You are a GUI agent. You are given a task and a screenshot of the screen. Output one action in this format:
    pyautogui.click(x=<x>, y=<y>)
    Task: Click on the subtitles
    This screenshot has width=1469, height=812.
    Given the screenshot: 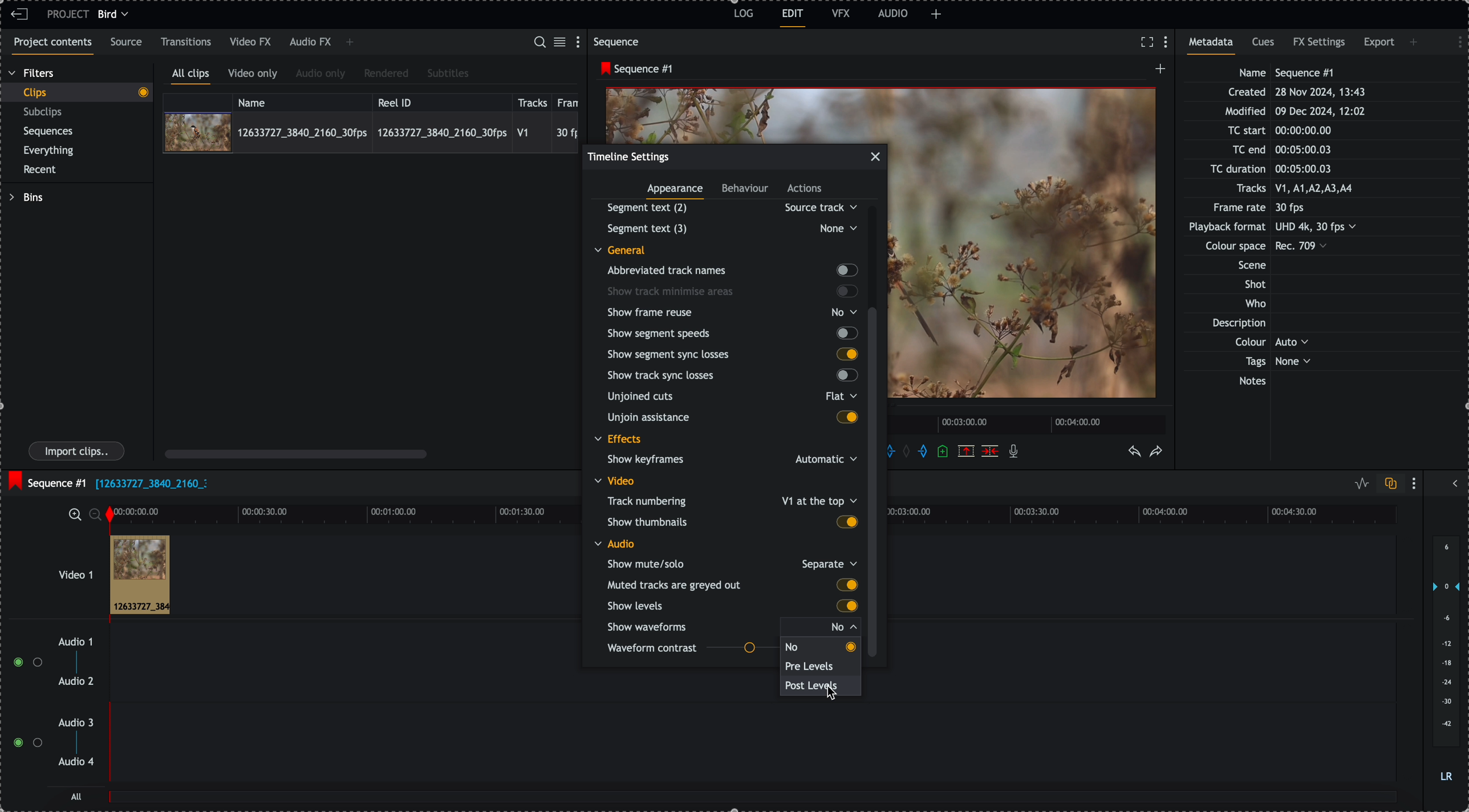 What is the action you would take?
    pyautogui.click(x=448, y=74)
    